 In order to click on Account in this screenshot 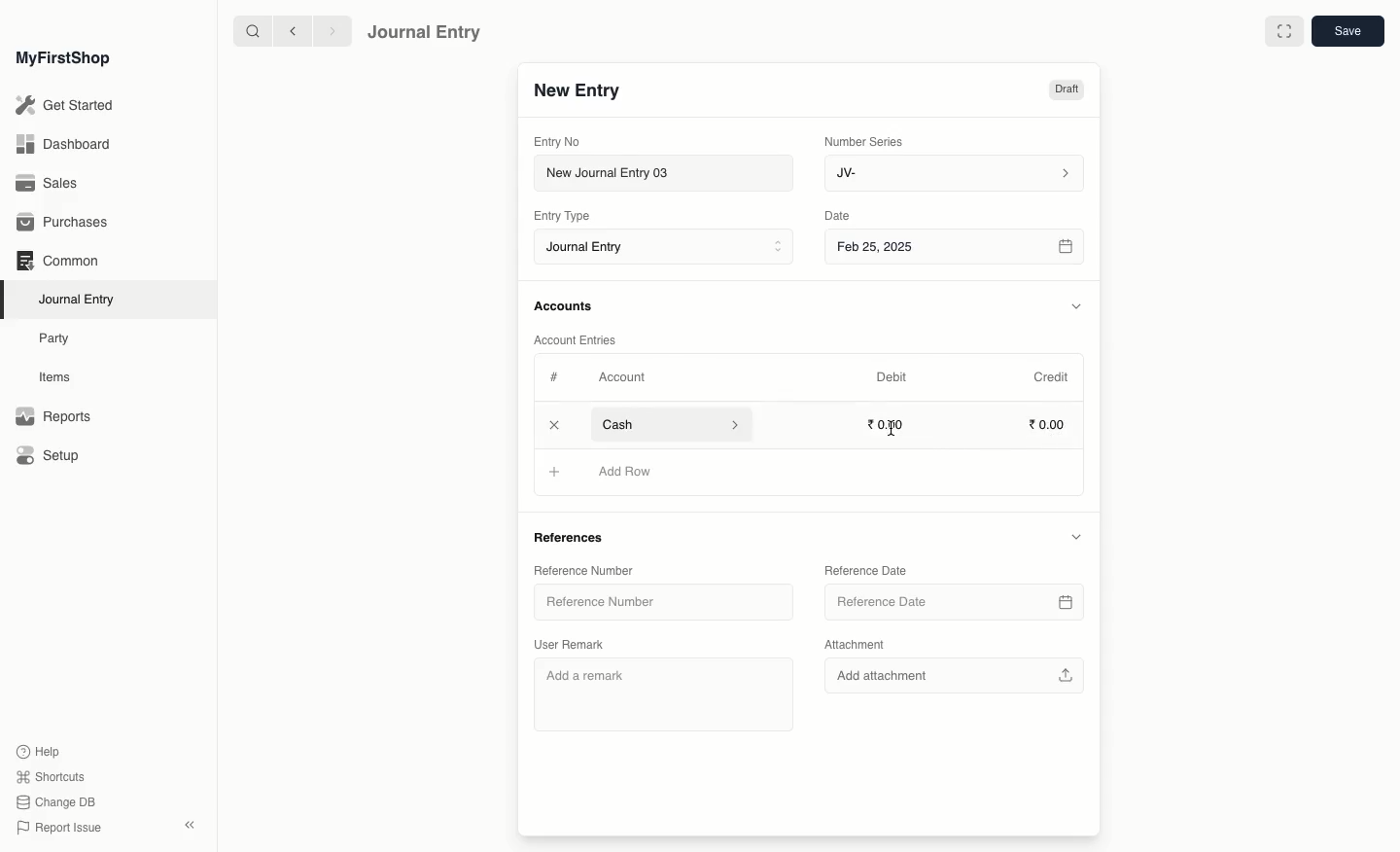, I will do `click(621, 377)`.